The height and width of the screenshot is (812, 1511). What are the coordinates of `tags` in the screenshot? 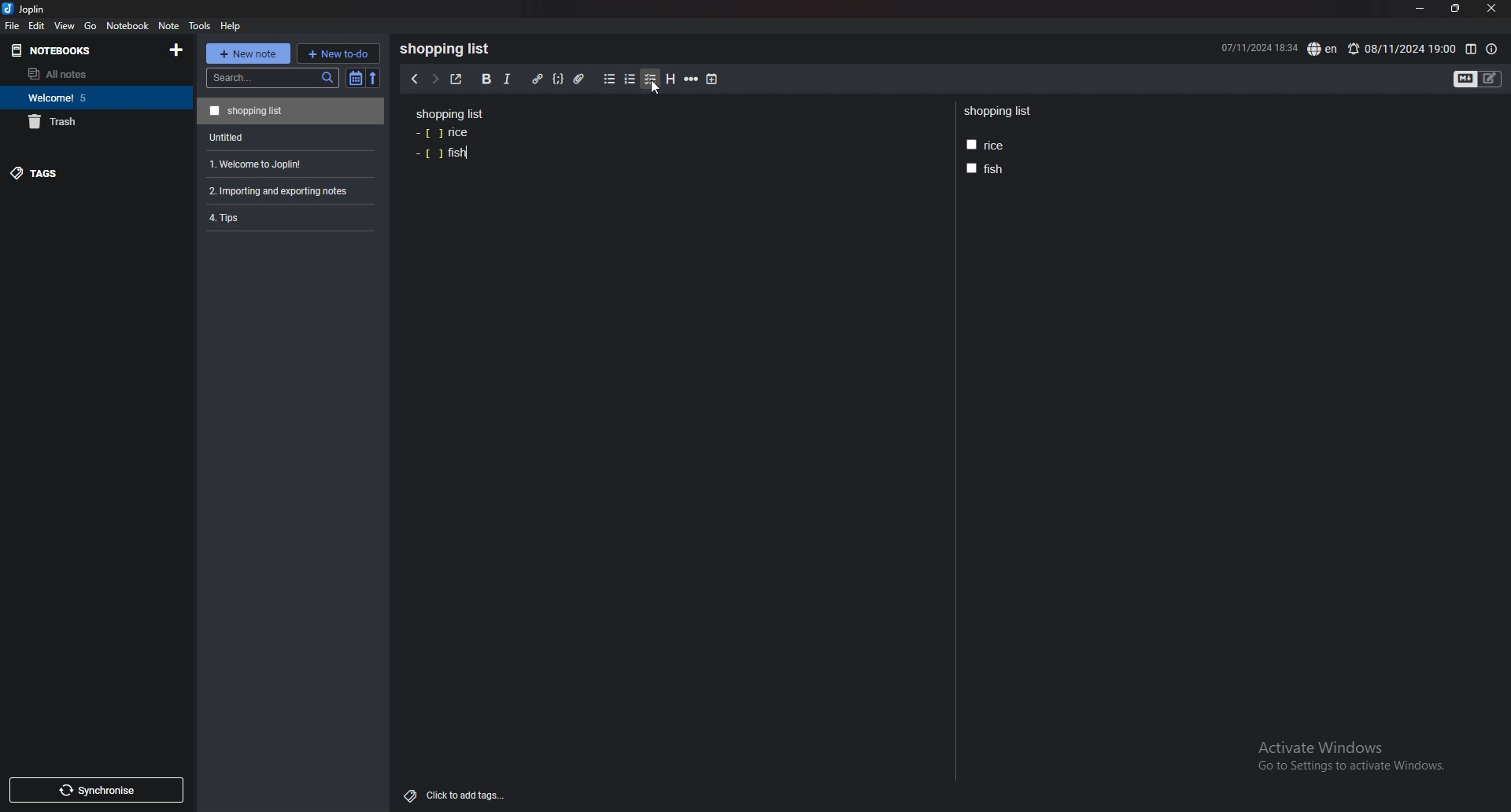 It's located at (84, 172).